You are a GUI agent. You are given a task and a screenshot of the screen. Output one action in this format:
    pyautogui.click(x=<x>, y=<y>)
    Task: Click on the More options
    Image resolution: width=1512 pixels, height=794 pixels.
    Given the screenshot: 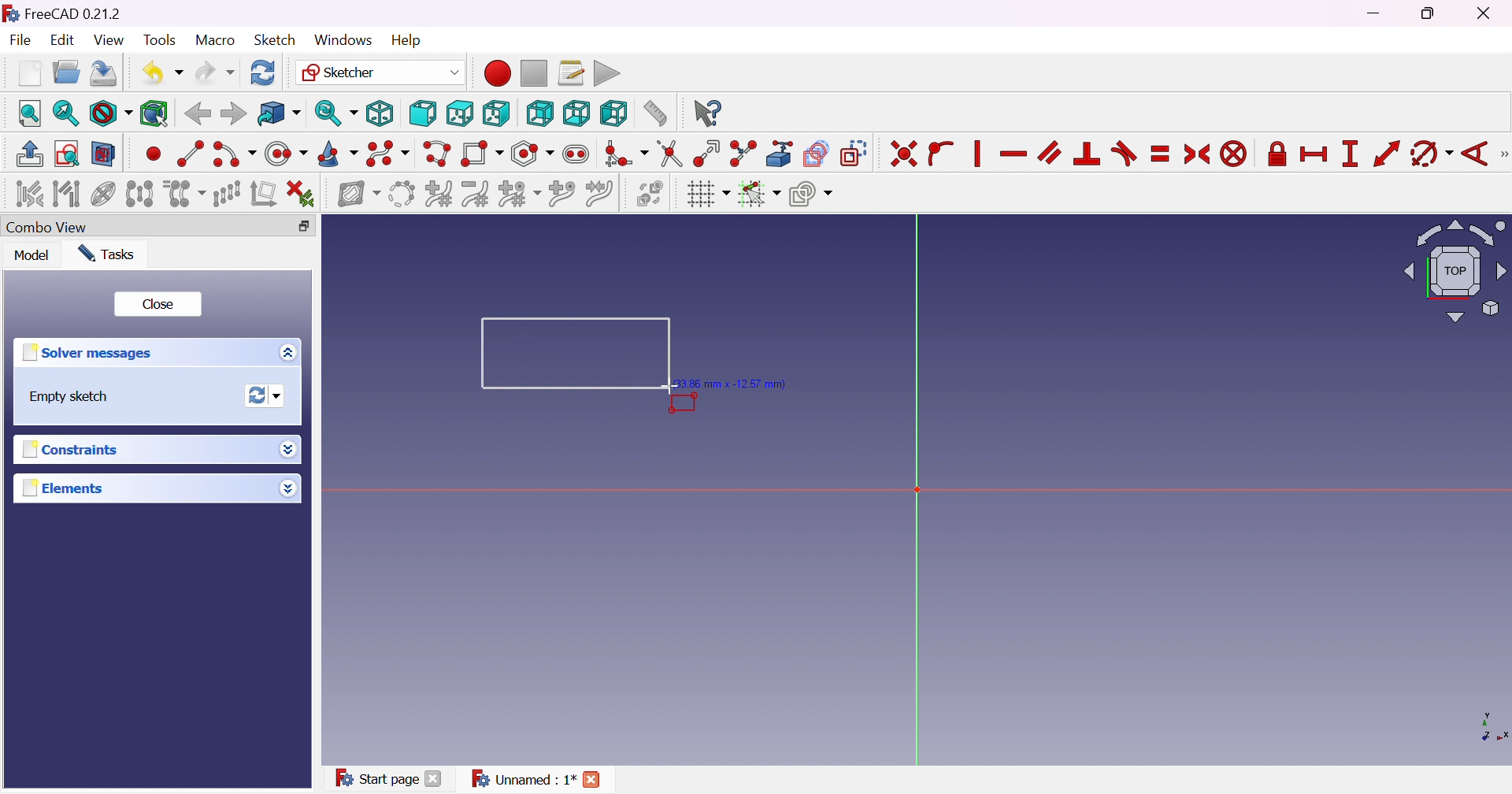 What is the action you would take?
    pyautogui.click(x=292, y=352)
    